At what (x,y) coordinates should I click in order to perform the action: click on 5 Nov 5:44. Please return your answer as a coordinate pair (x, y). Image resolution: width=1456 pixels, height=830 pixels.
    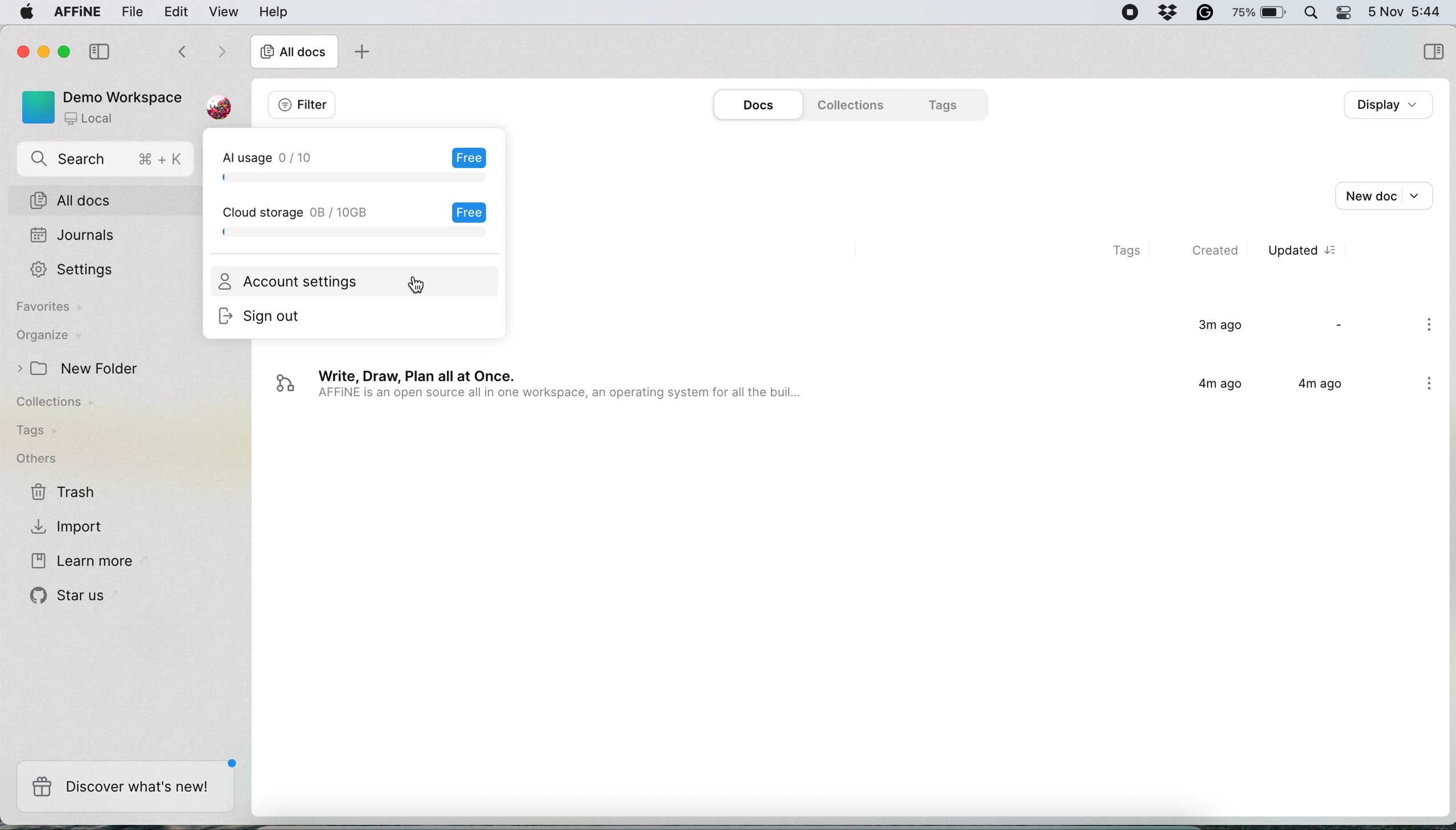
    Looking at the image, I should click on (1404, 10).